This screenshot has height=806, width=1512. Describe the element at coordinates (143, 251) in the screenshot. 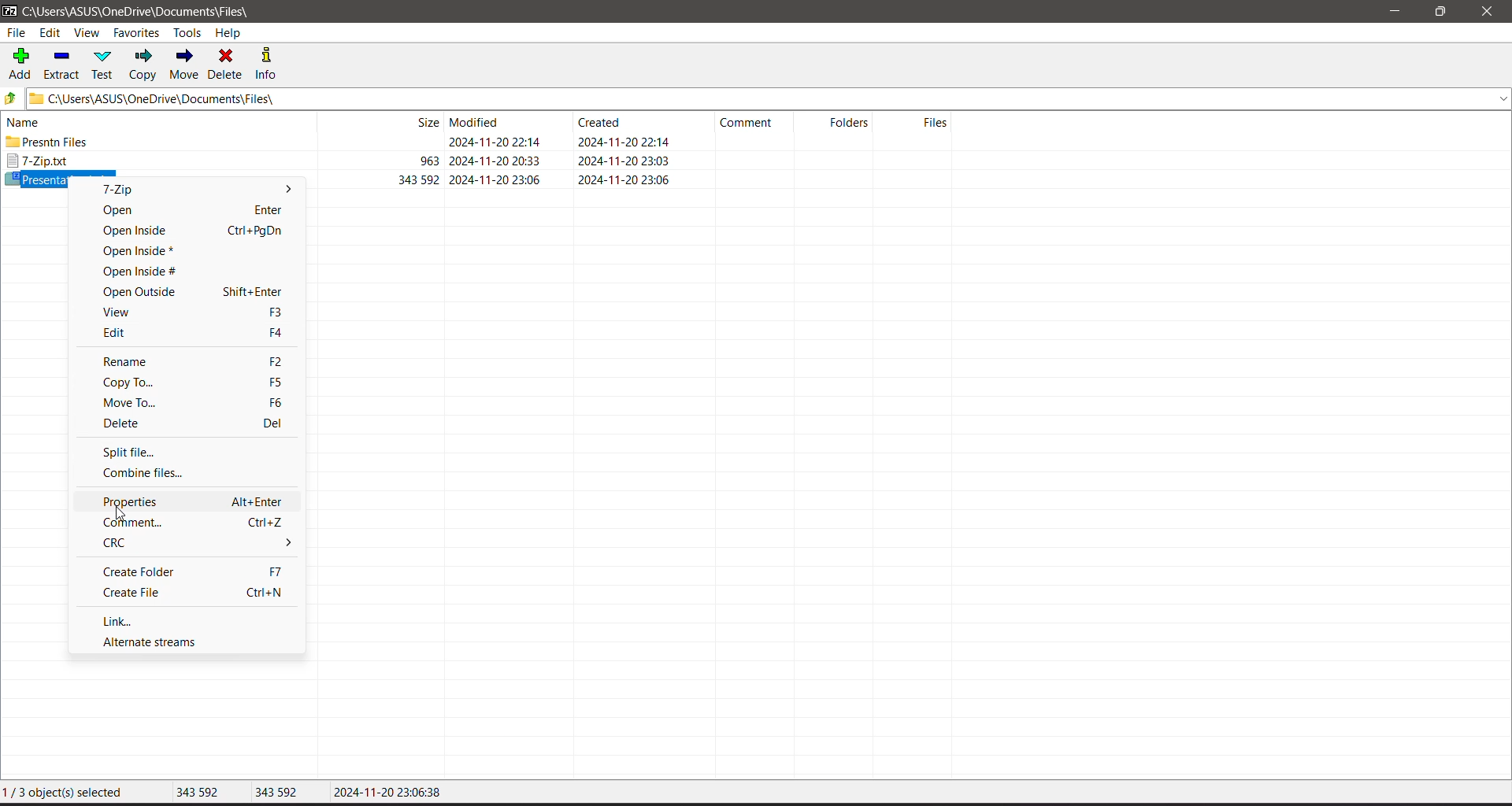

I see `Open Inside*` at that location.